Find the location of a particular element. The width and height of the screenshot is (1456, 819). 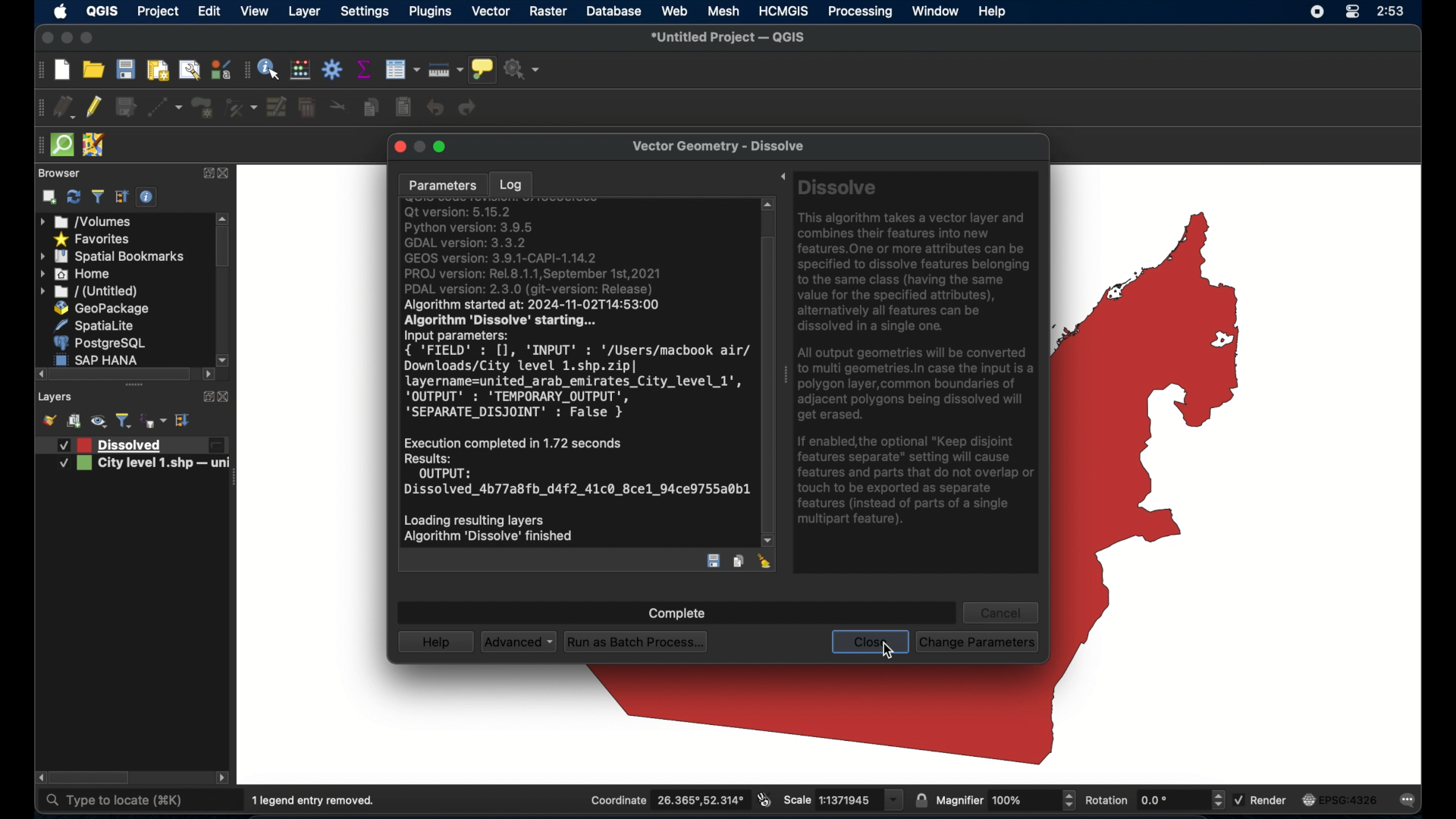

maximize is located at coordinates (45, 39).